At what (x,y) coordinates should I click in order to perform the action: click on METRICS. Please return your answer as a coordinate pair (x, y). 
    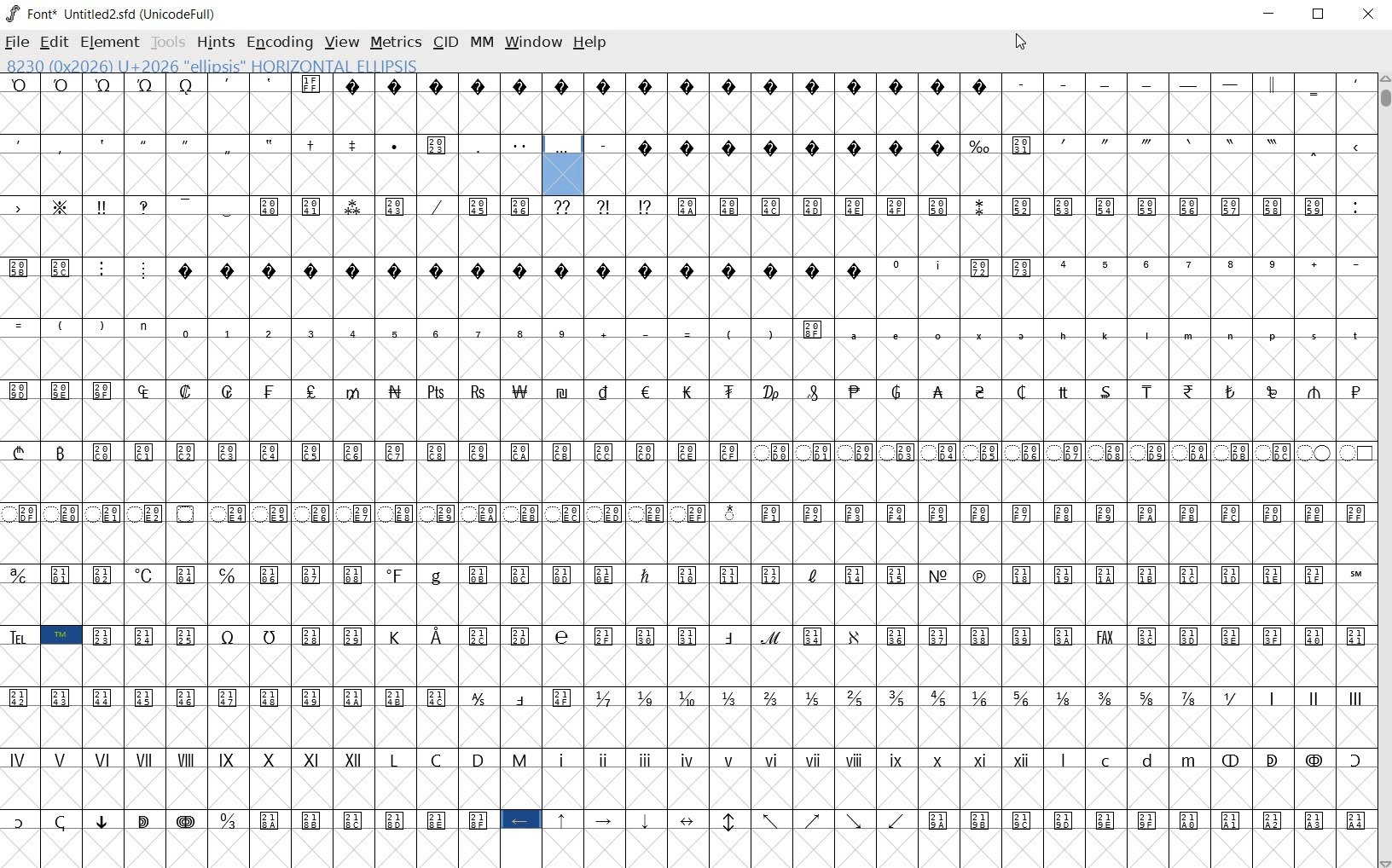
    Looking at the image, I should click on (396, 42).